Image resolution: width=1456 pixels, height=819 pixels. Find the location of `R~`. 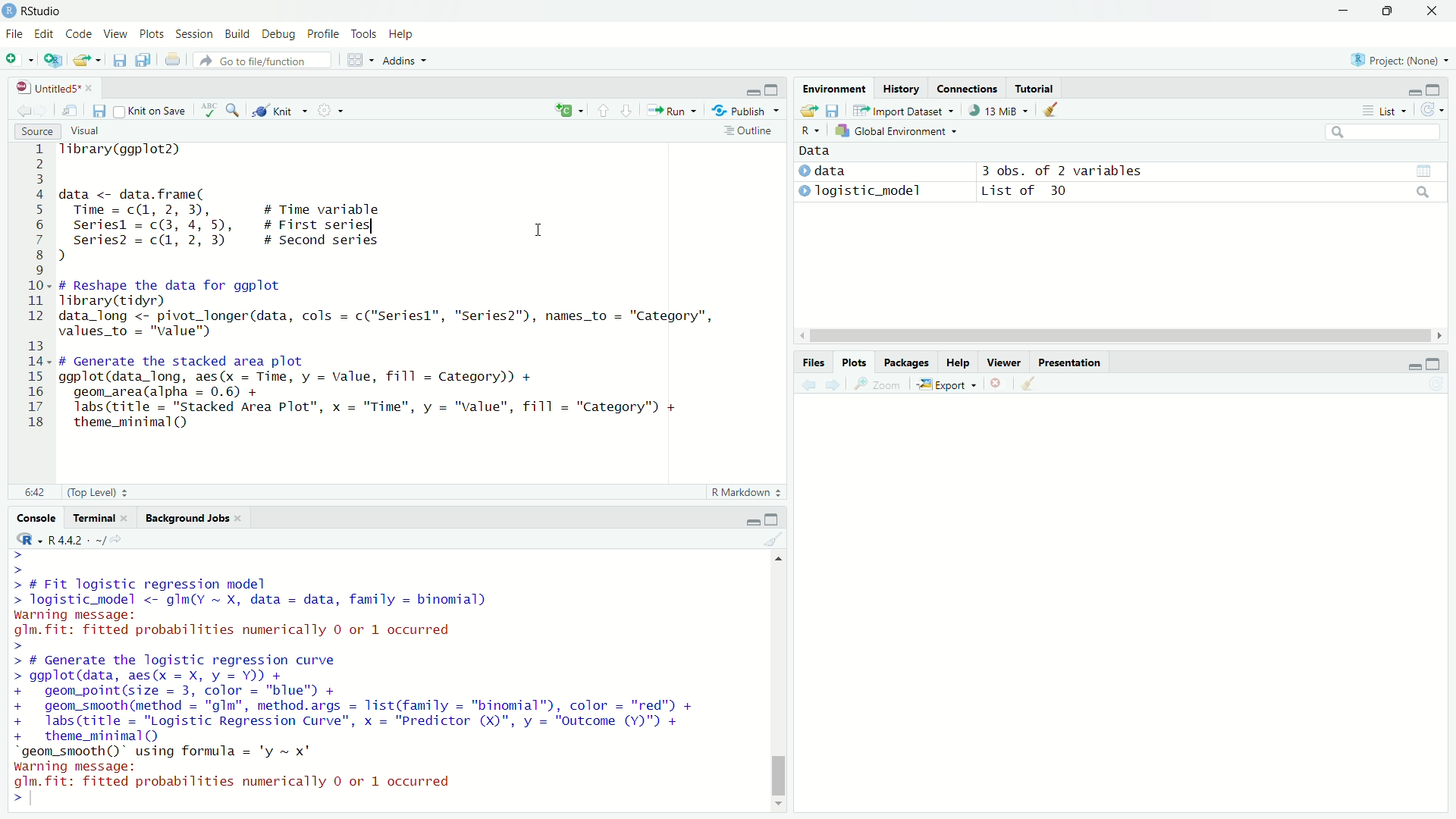

R~ is located at coordinates (808, 132).